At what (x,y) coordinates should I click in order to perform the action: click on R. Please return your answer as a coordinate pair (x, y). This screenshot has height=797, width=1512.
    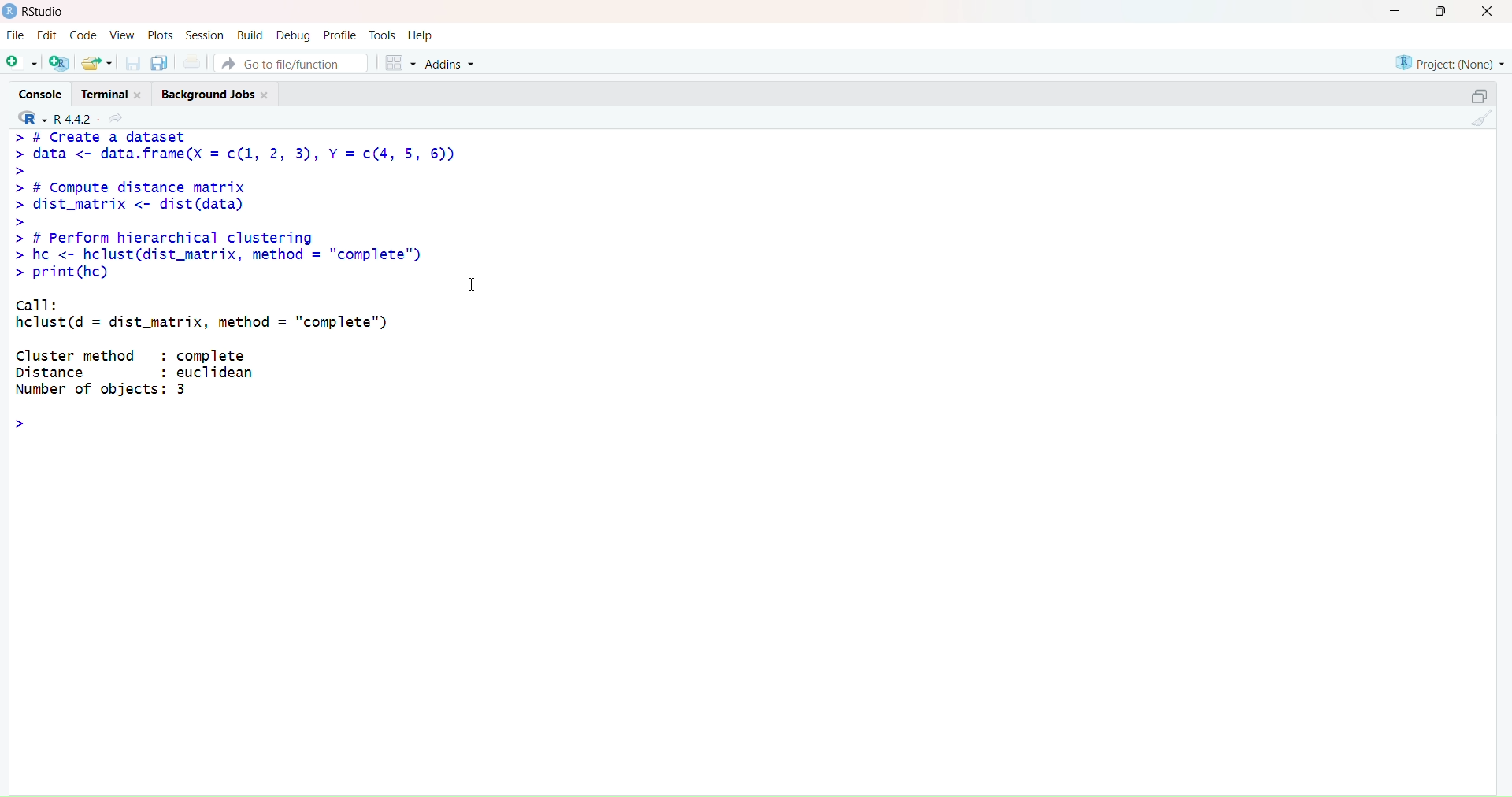
    Looking at the image, I should click on (28, 119).